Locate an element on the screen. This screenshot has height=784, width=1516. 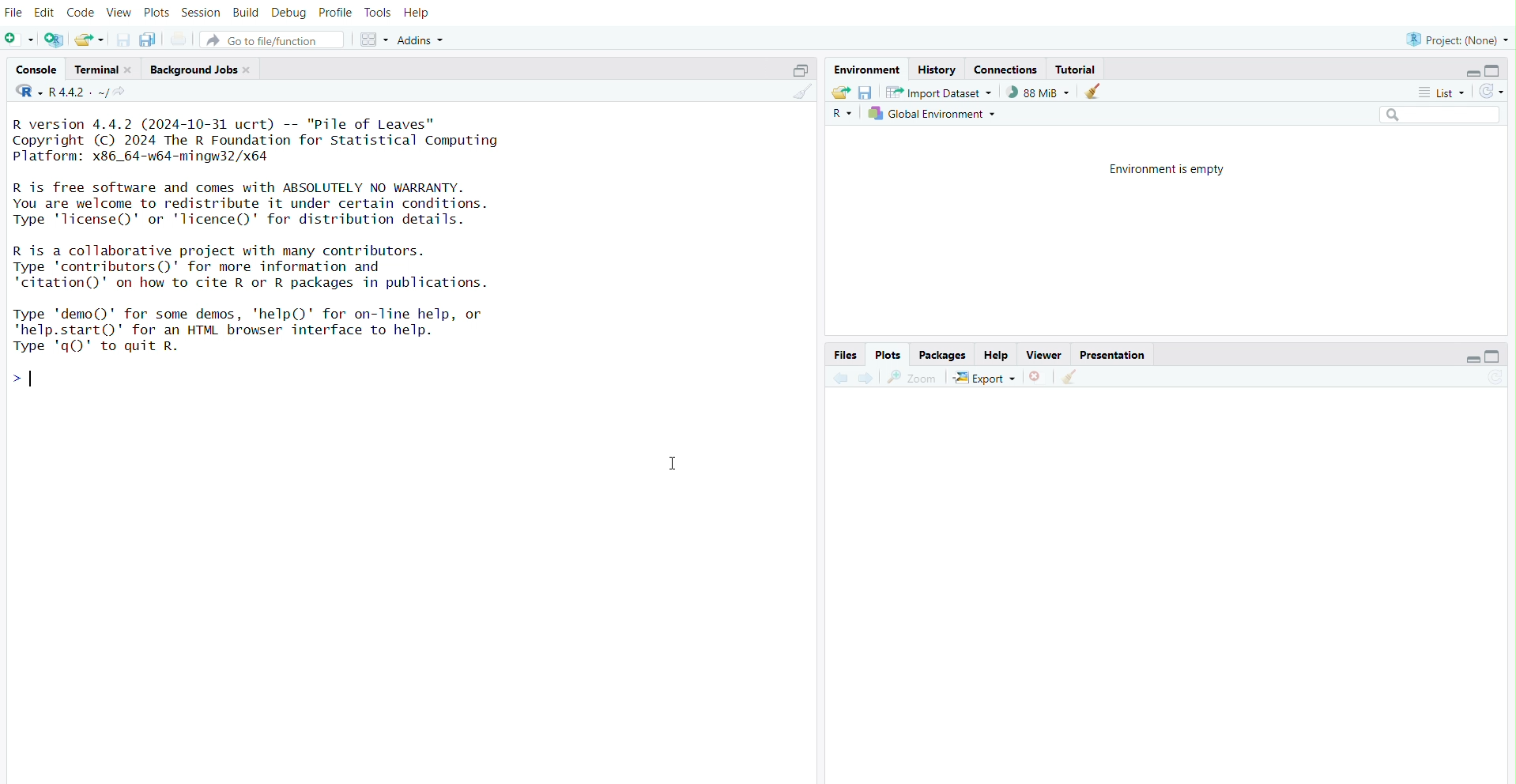
details of contributors is located at coordinates (289, 266).